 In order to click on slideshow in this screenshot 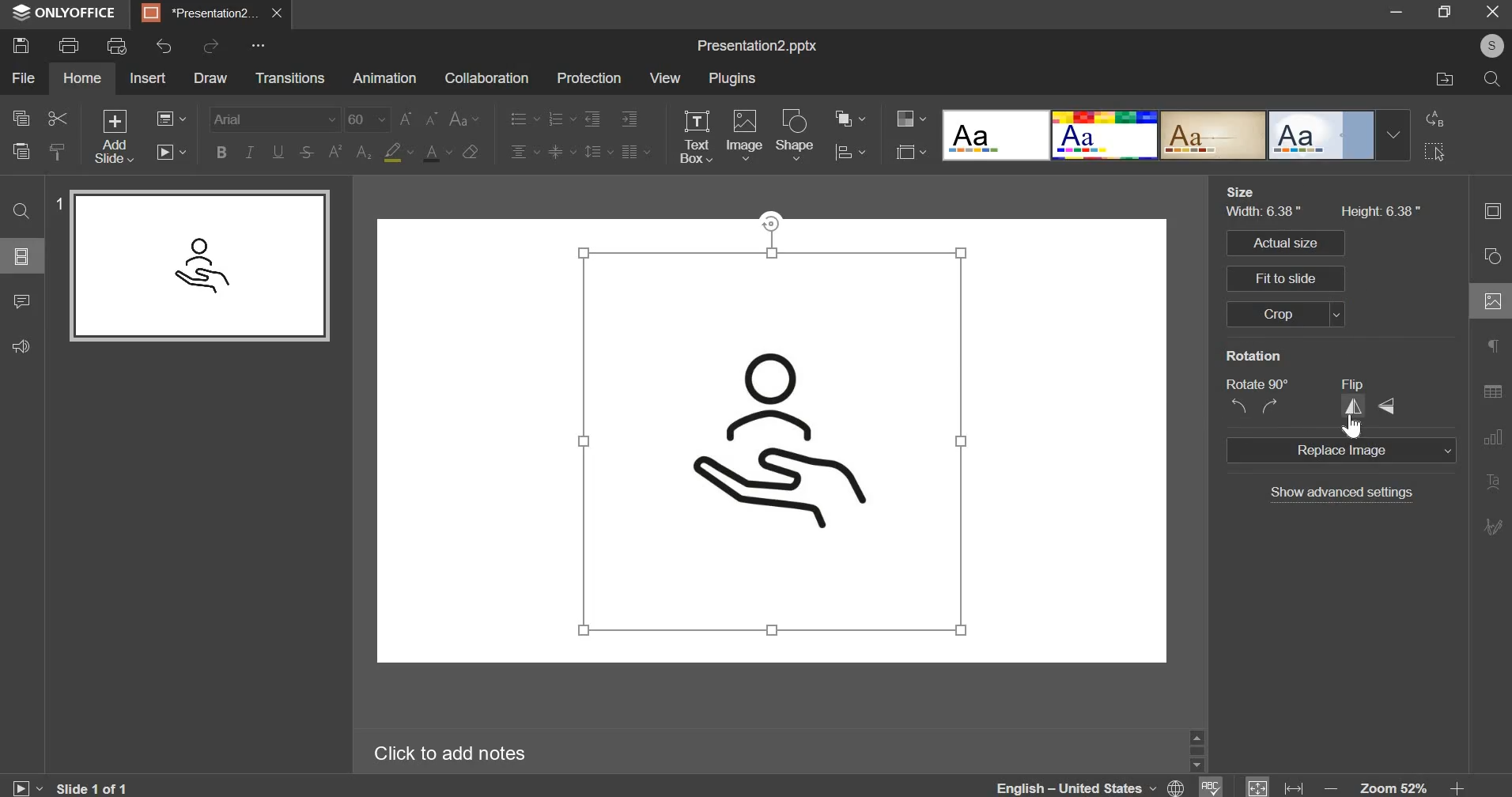, I will do `click(169, 152)`.